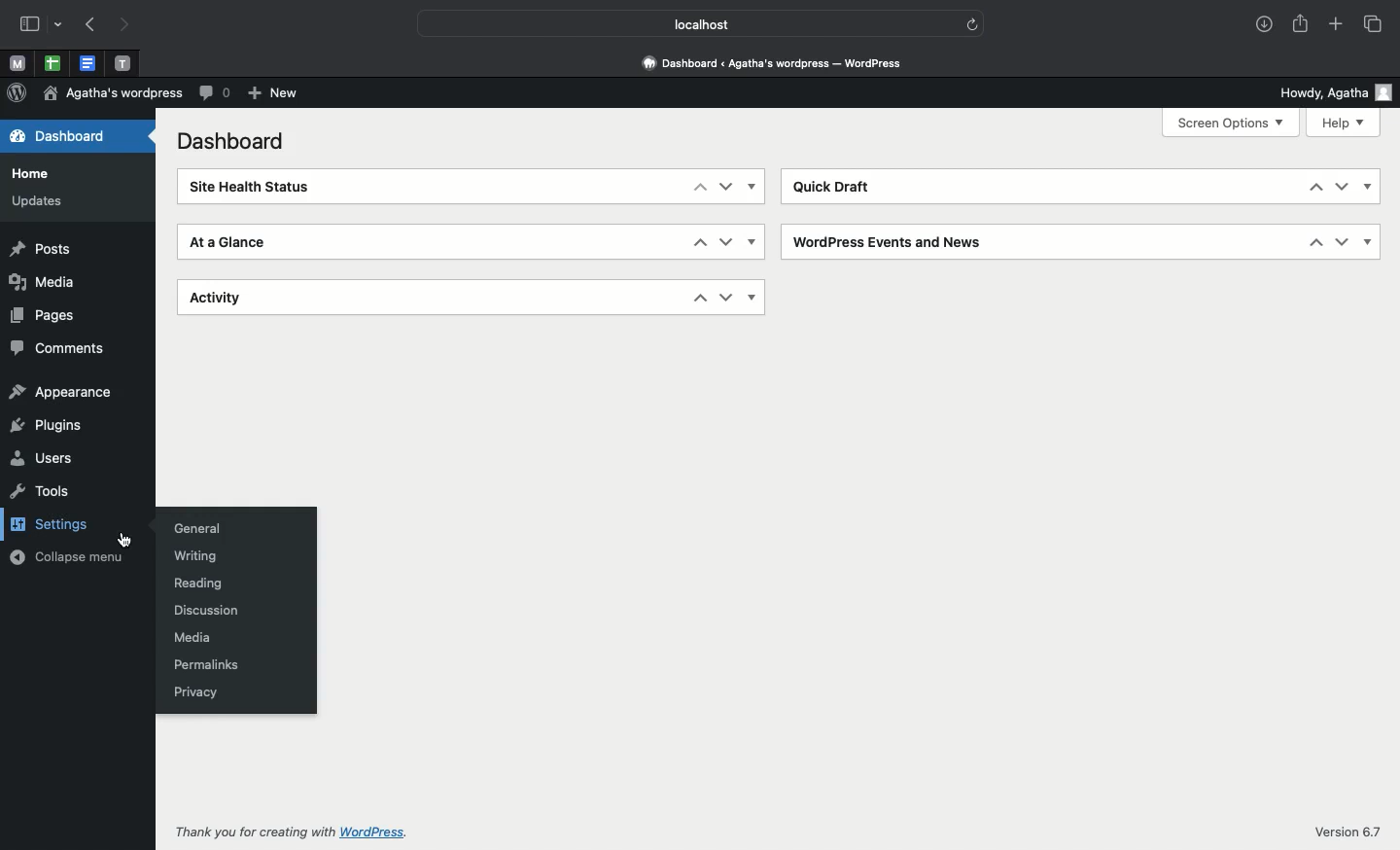 This screenshot has width=1400, height=850. I want to click on Screen options, so click(1234, 123).